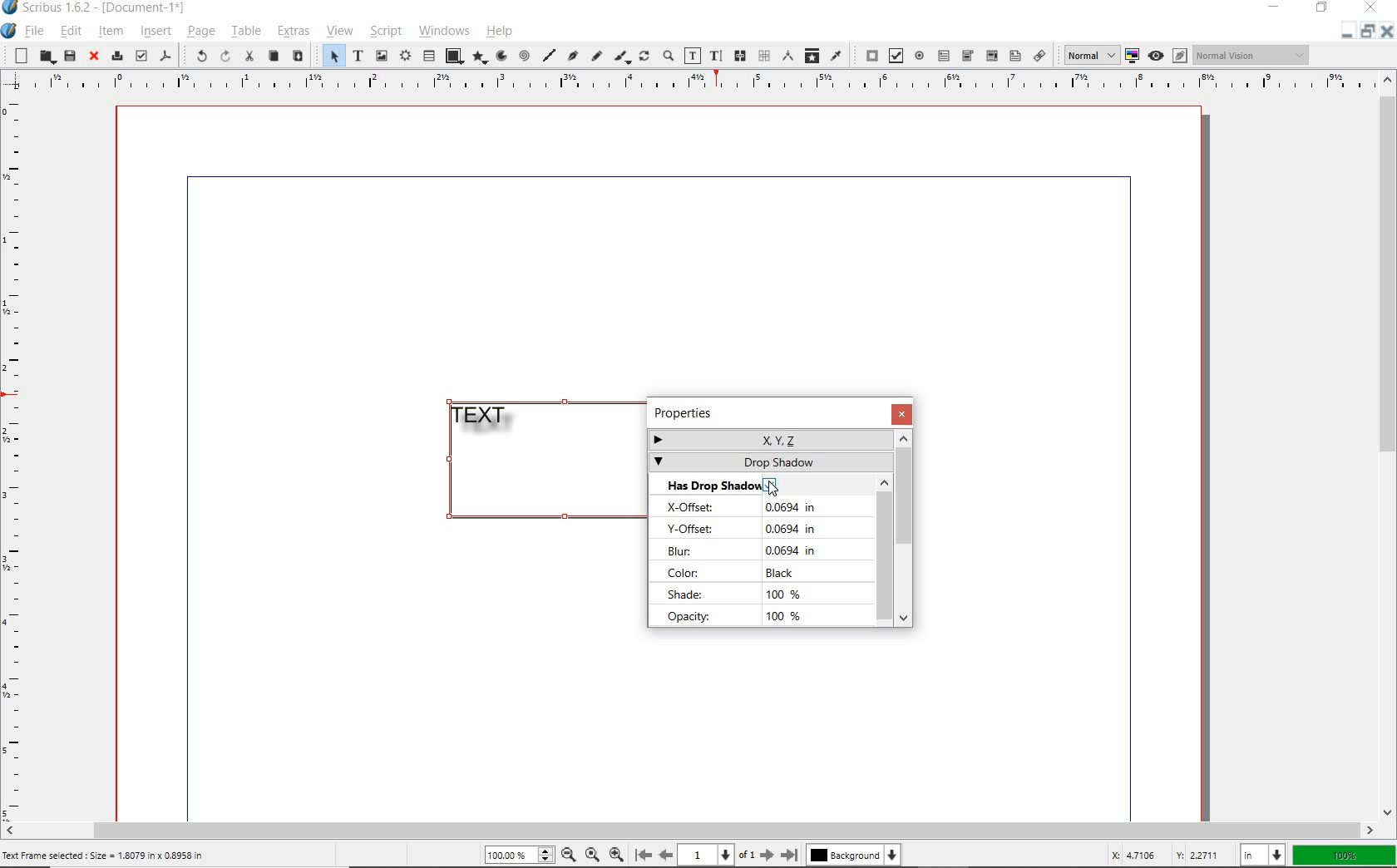  What do you see at coordinates (332, 56) in the screenshot?
I see `select item` at bounding box center [332, 56].